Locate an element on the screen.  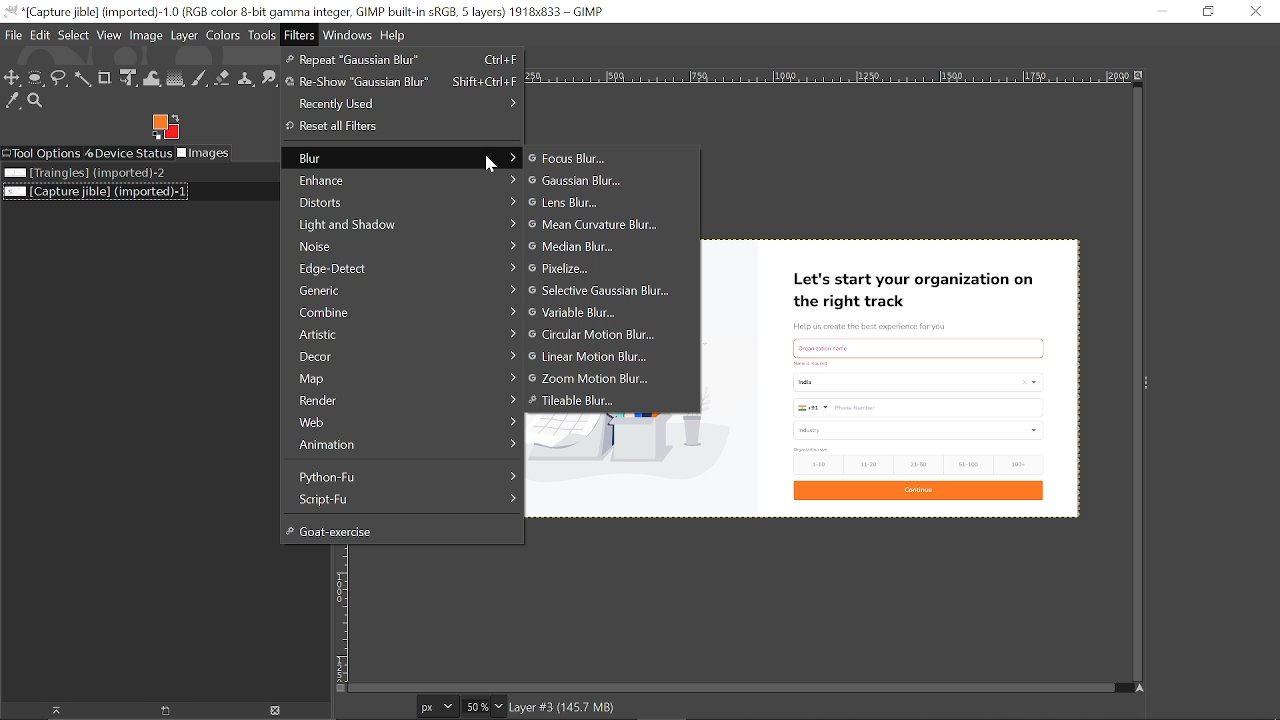
Tool options is located at coordinates (41, 153).